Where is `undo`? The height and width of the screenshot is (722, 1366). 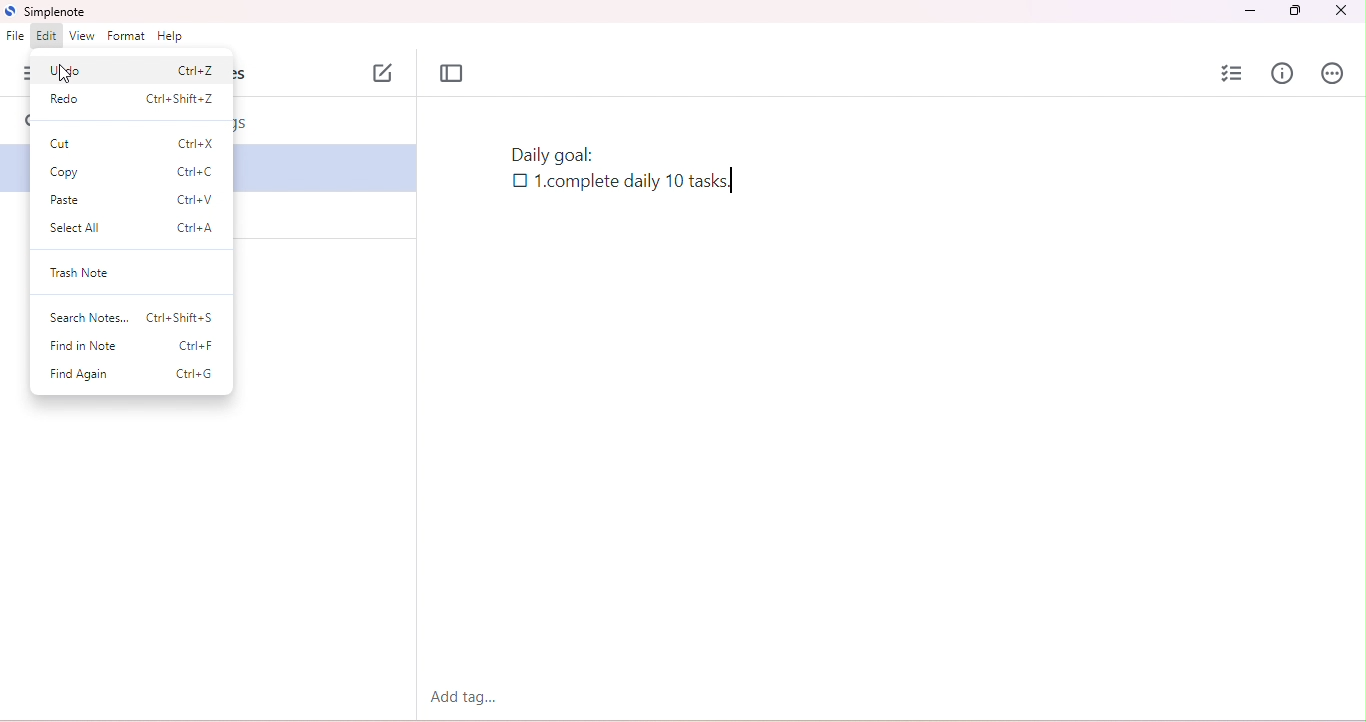
undo is located at coordinates (131, 72).